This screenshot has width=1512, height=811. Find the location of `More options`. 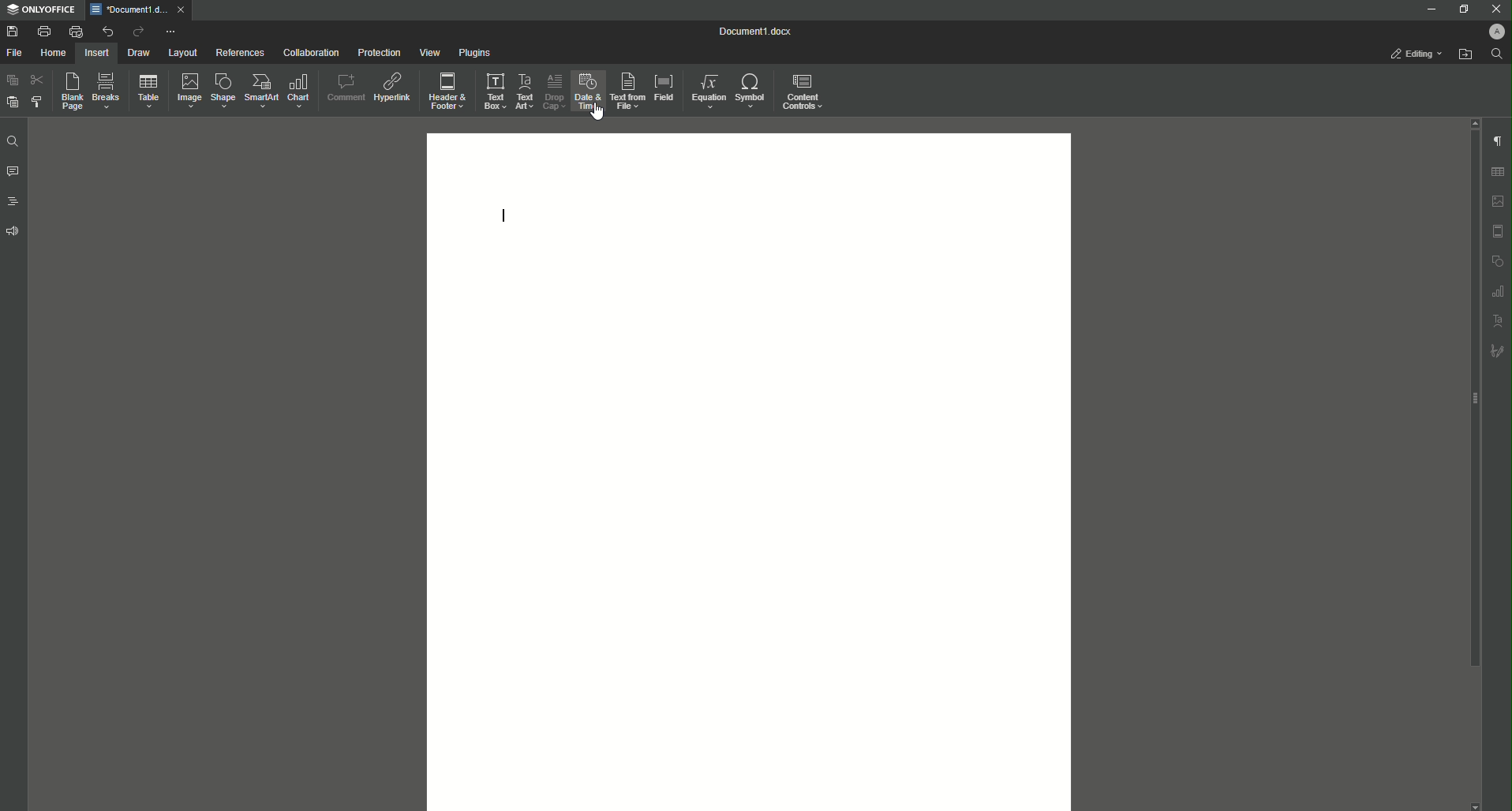

More options is located at coordinates (172, 32).